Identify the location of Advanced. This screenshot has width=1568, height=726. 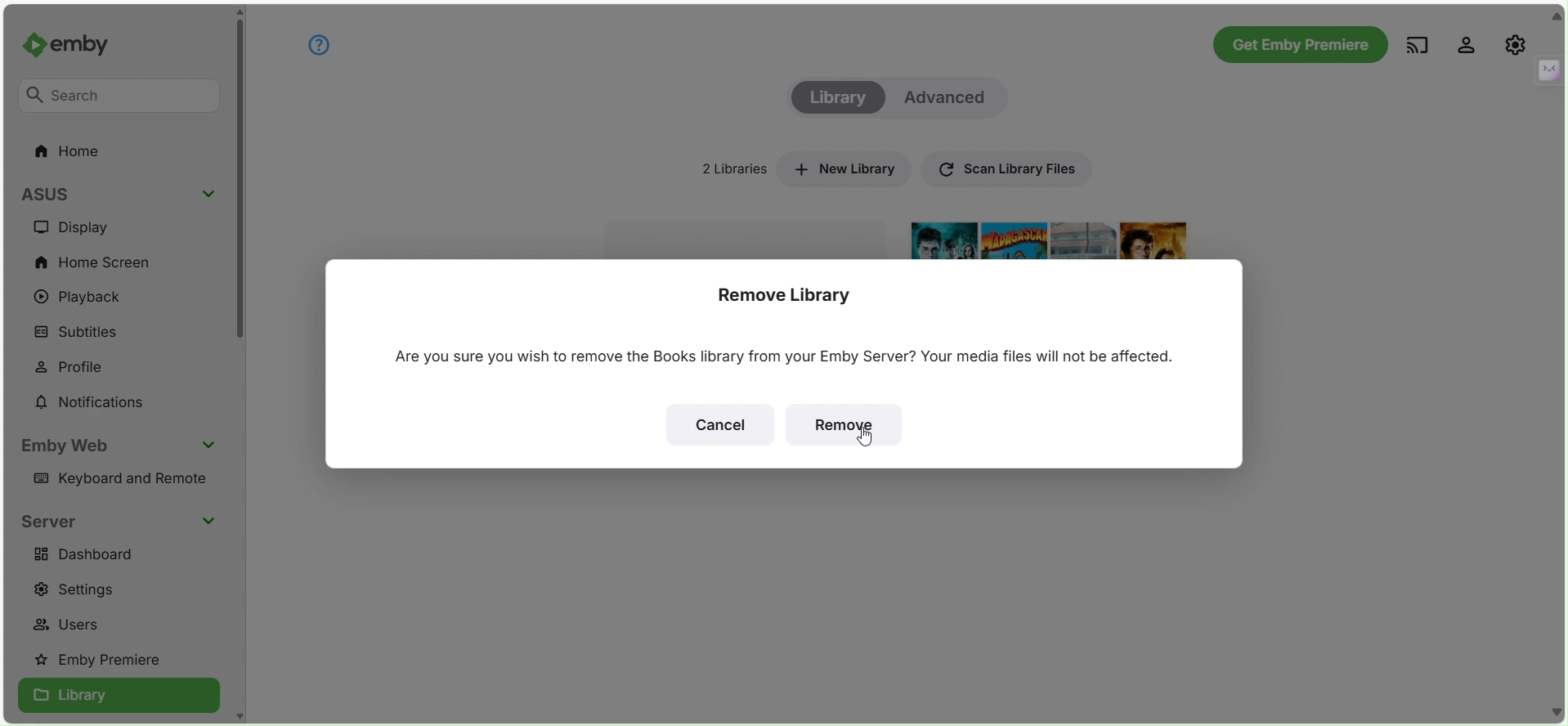
(949, 97).